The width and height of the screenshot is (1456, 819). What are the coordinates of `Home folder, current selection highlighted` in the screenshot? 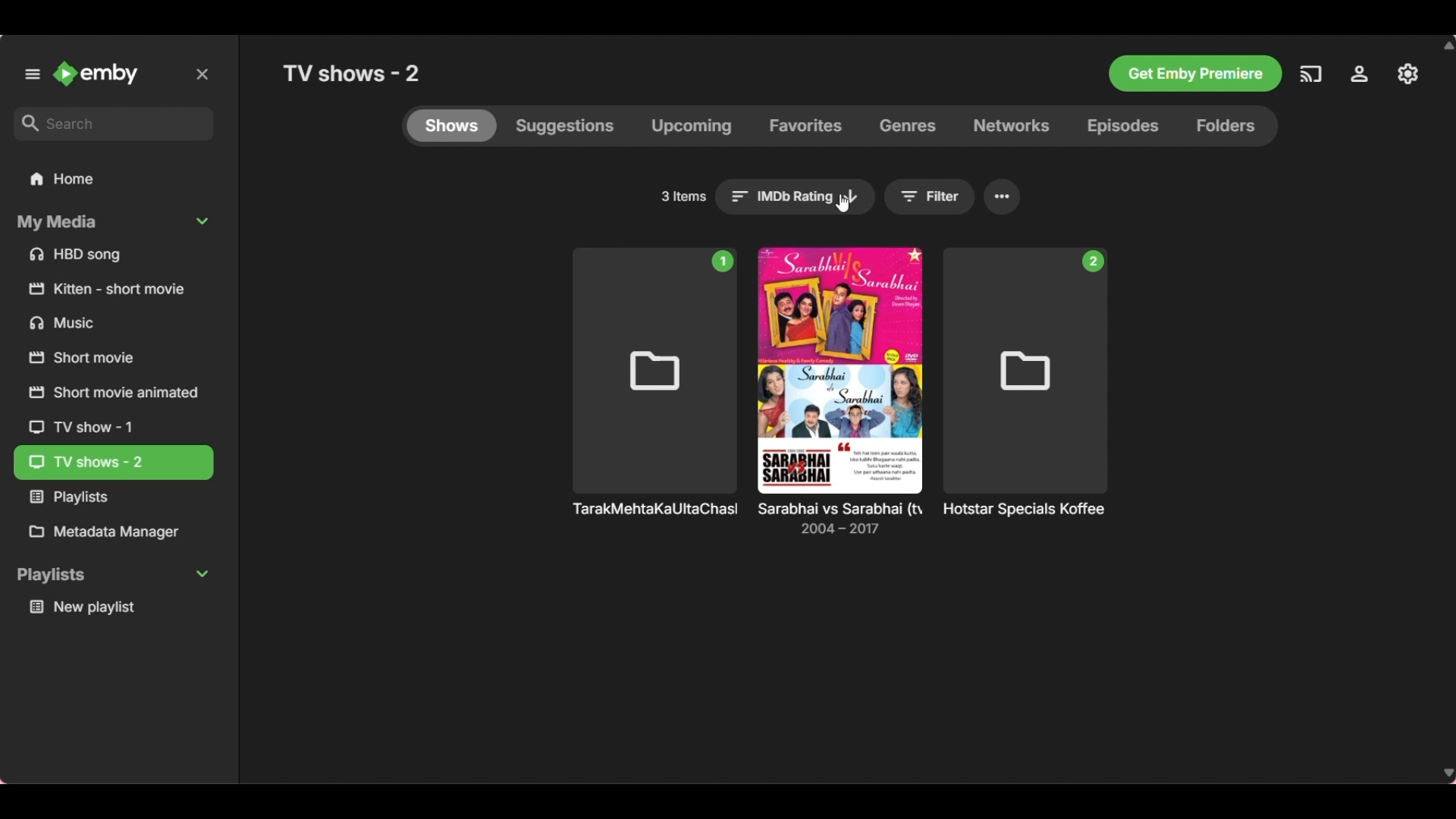 It's located at (113, 180).